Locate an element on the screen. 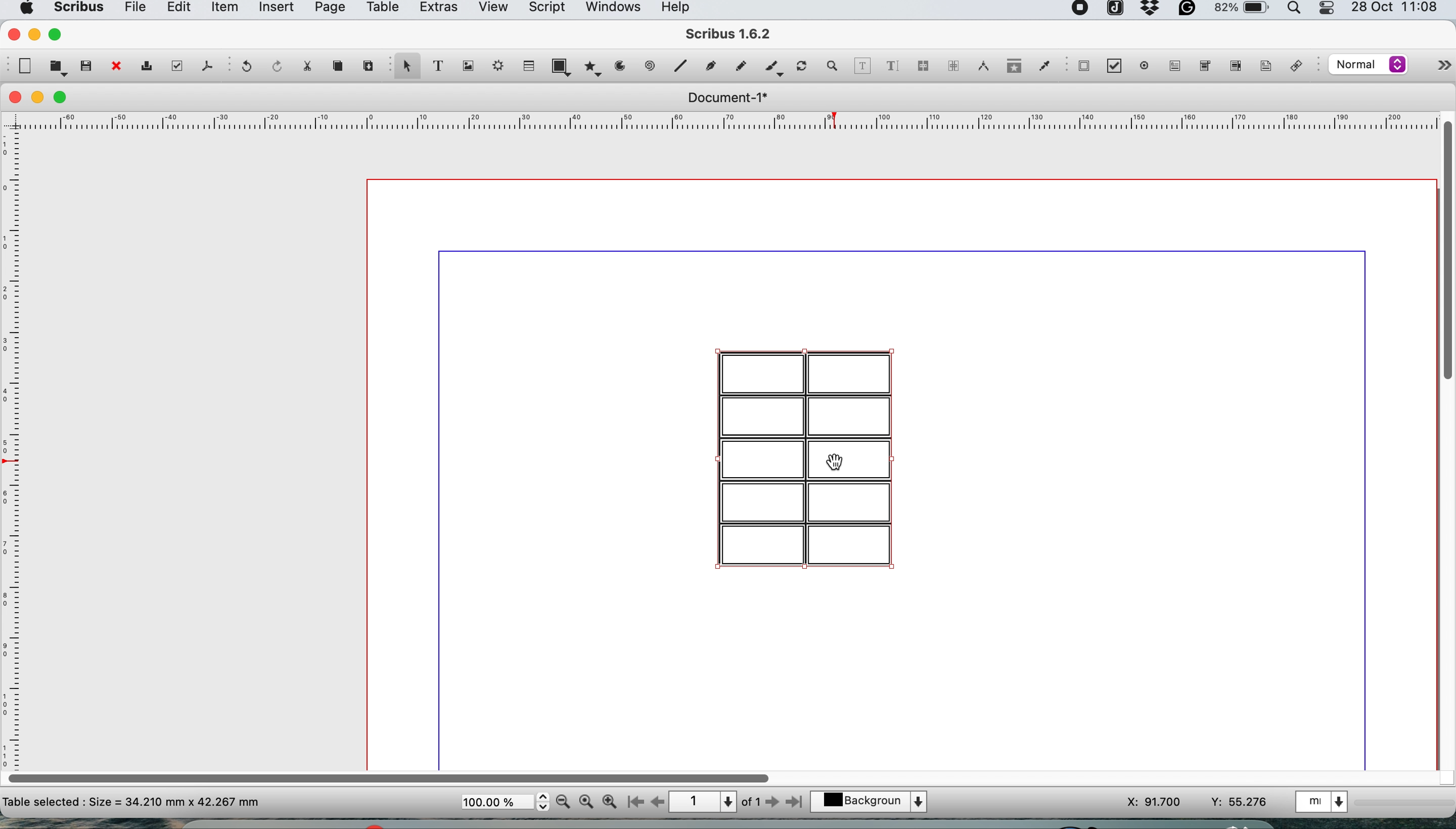 The width and height of the screenshot is (1456, 829). more options is located at coordinates (1432, 68).